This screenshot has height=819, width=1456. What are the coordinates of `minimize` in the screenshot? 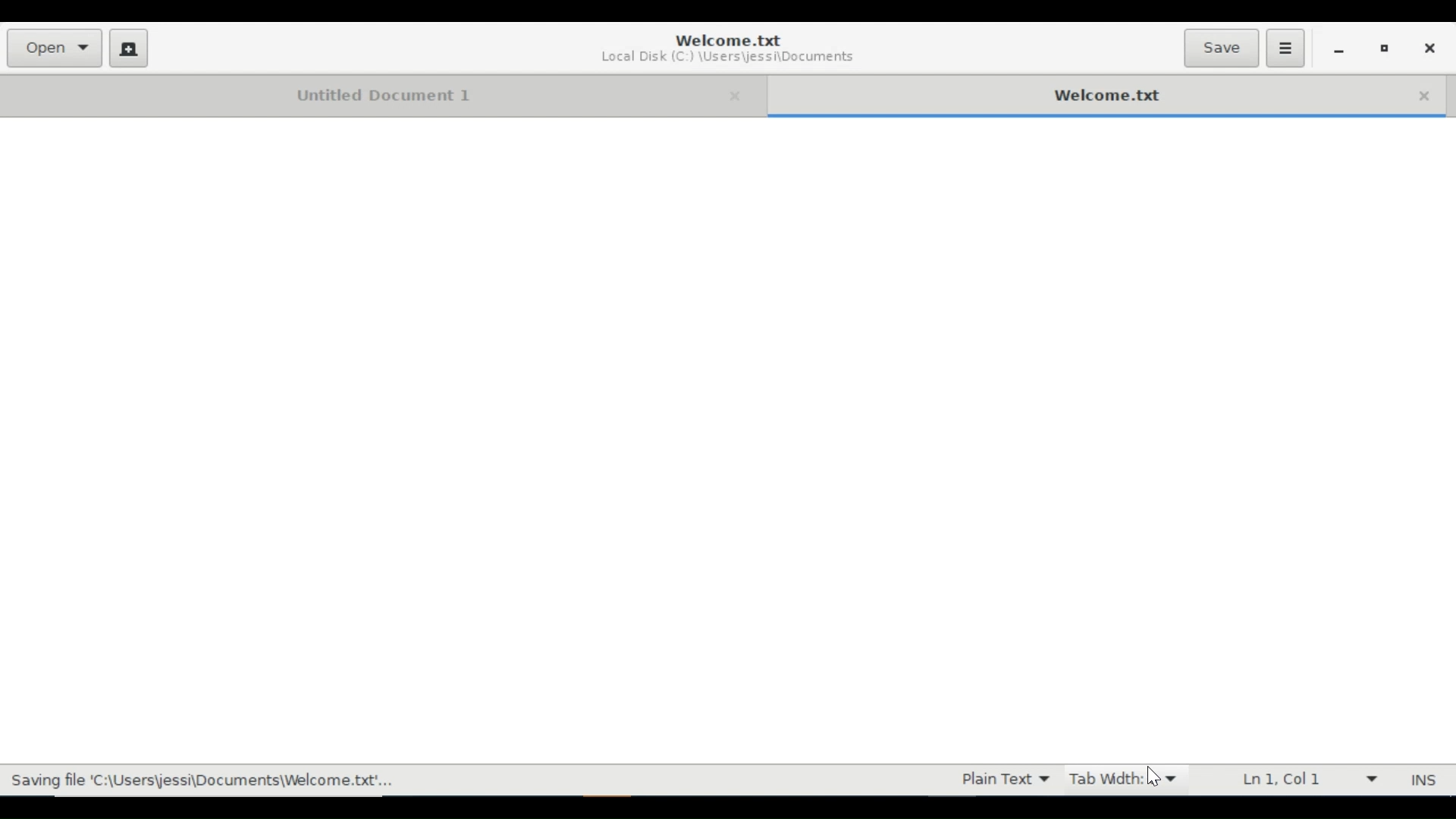 It's located at (1339, 50).